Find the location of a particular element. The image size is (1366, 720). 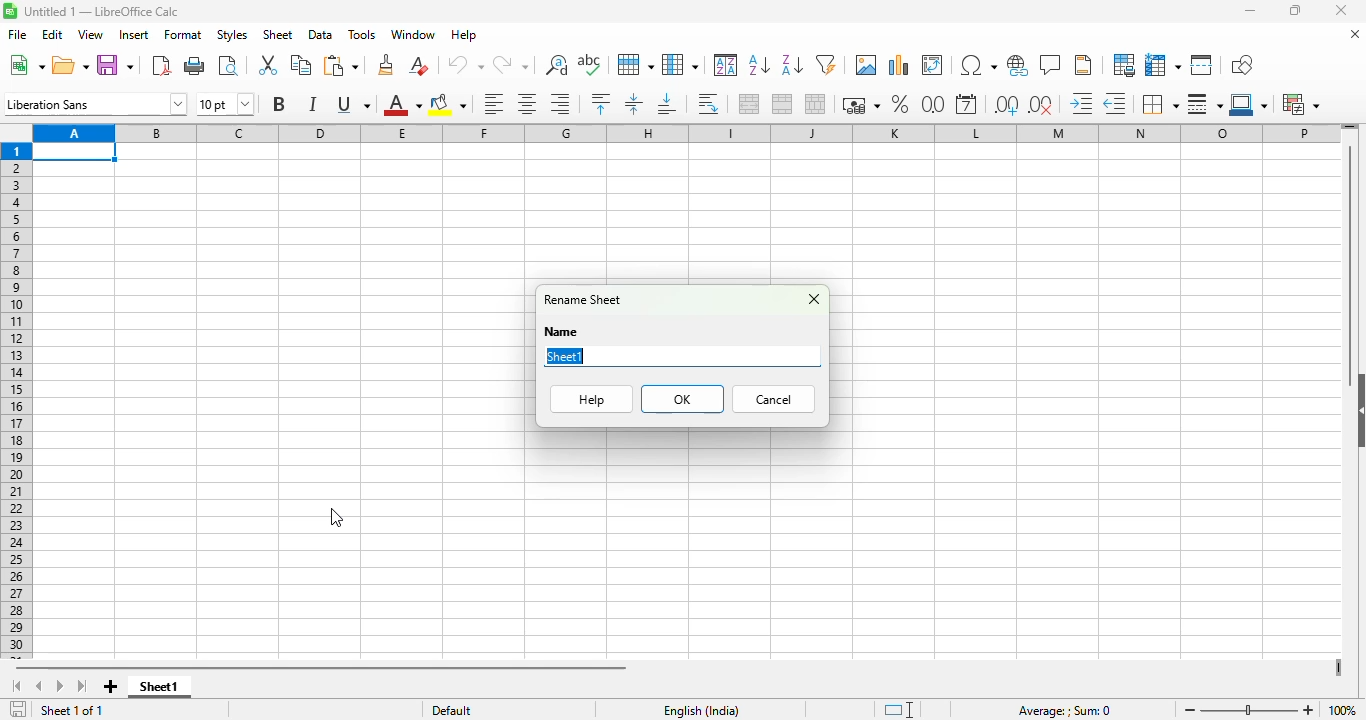

insert is located at coordinates (133, 35).